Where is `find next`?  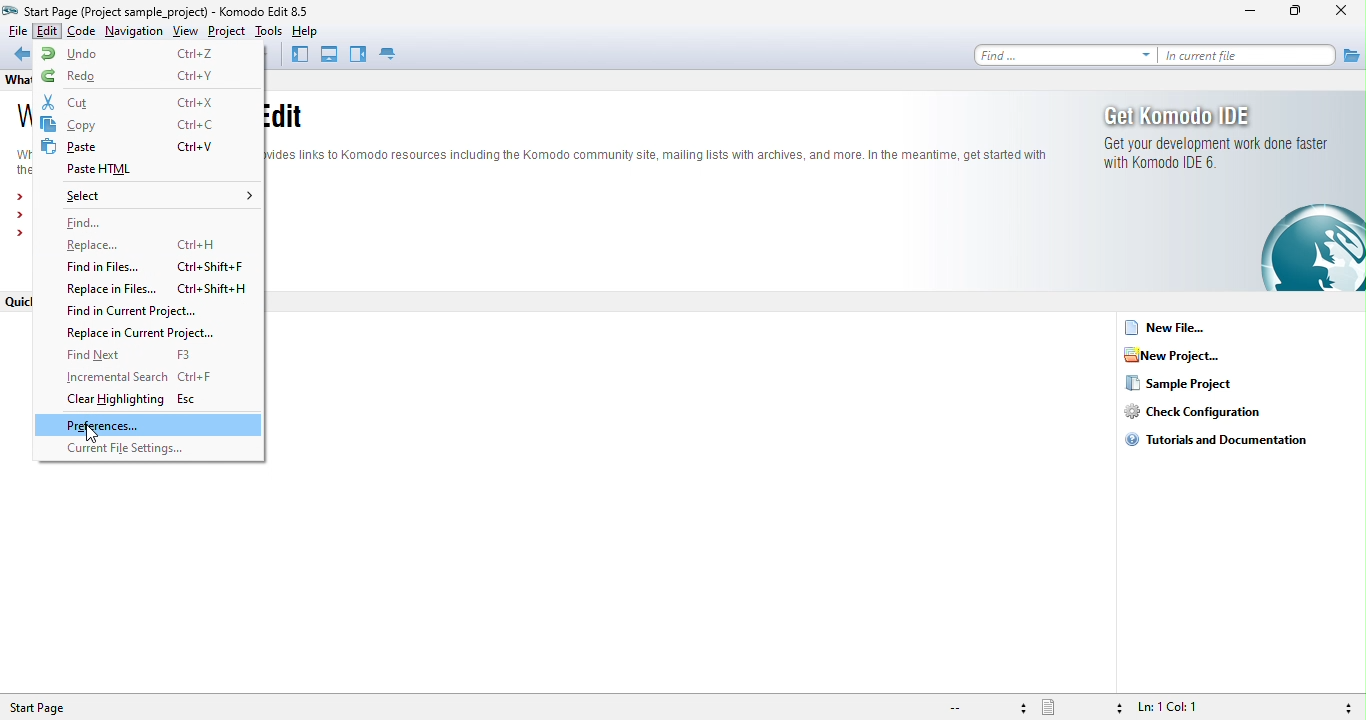 find next is located at coordinates (153, 356).